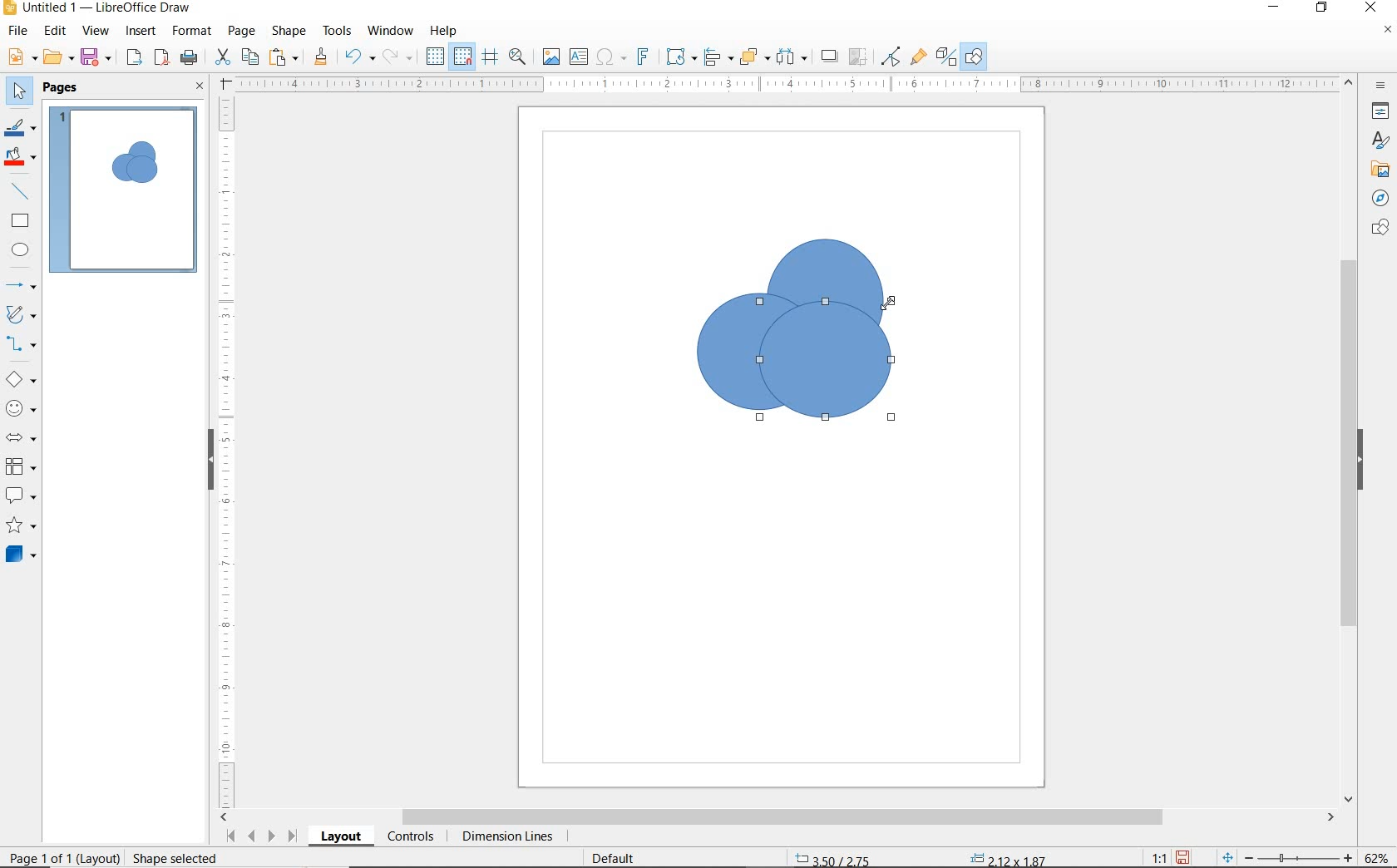  What do you see at coordinates (412, 838) in the screenshot?
I see `CONTROLS` at bounding box center [412, 838].